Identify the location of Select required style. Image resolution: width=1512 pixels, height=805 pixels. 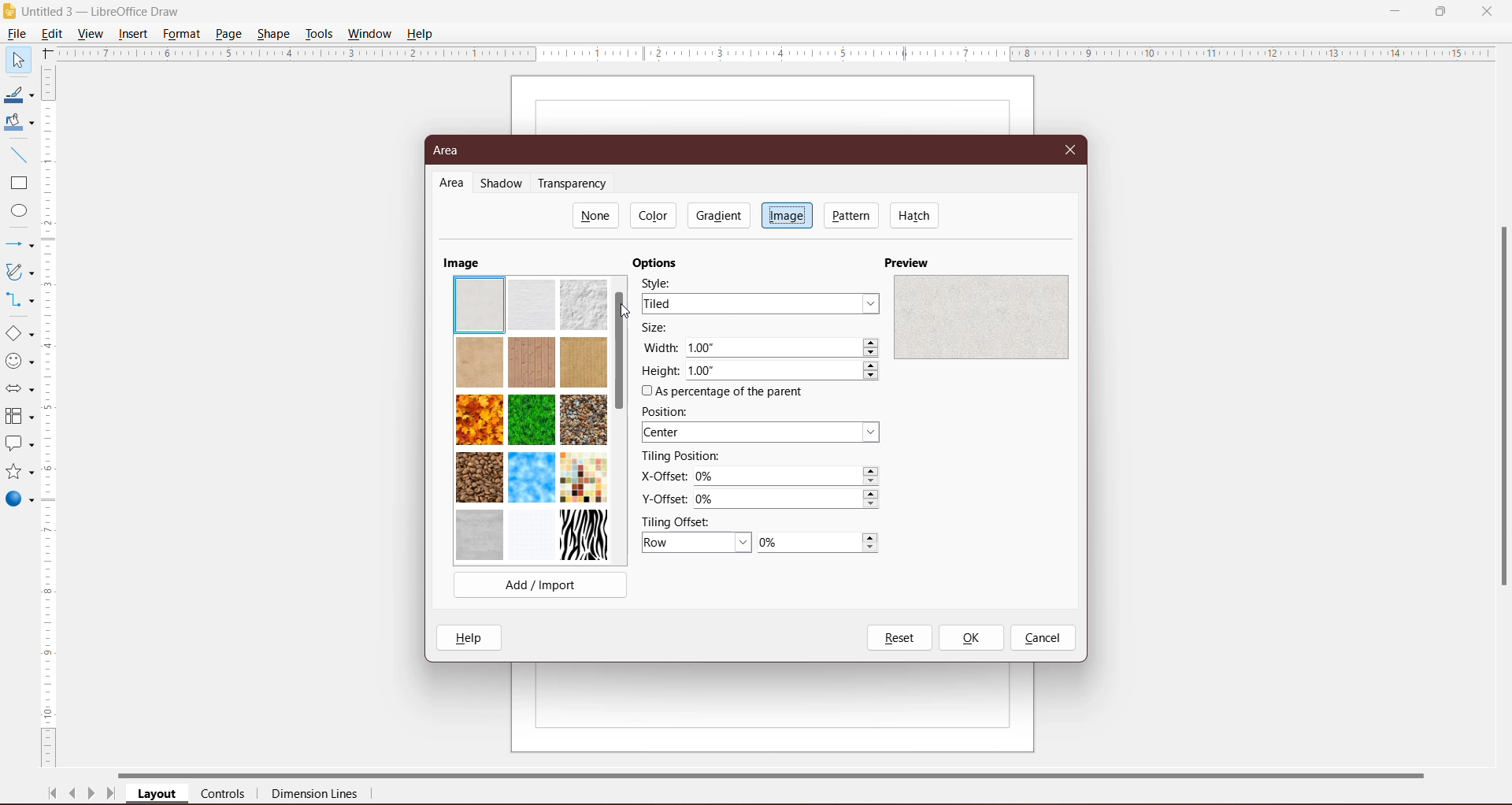
(760, 303).